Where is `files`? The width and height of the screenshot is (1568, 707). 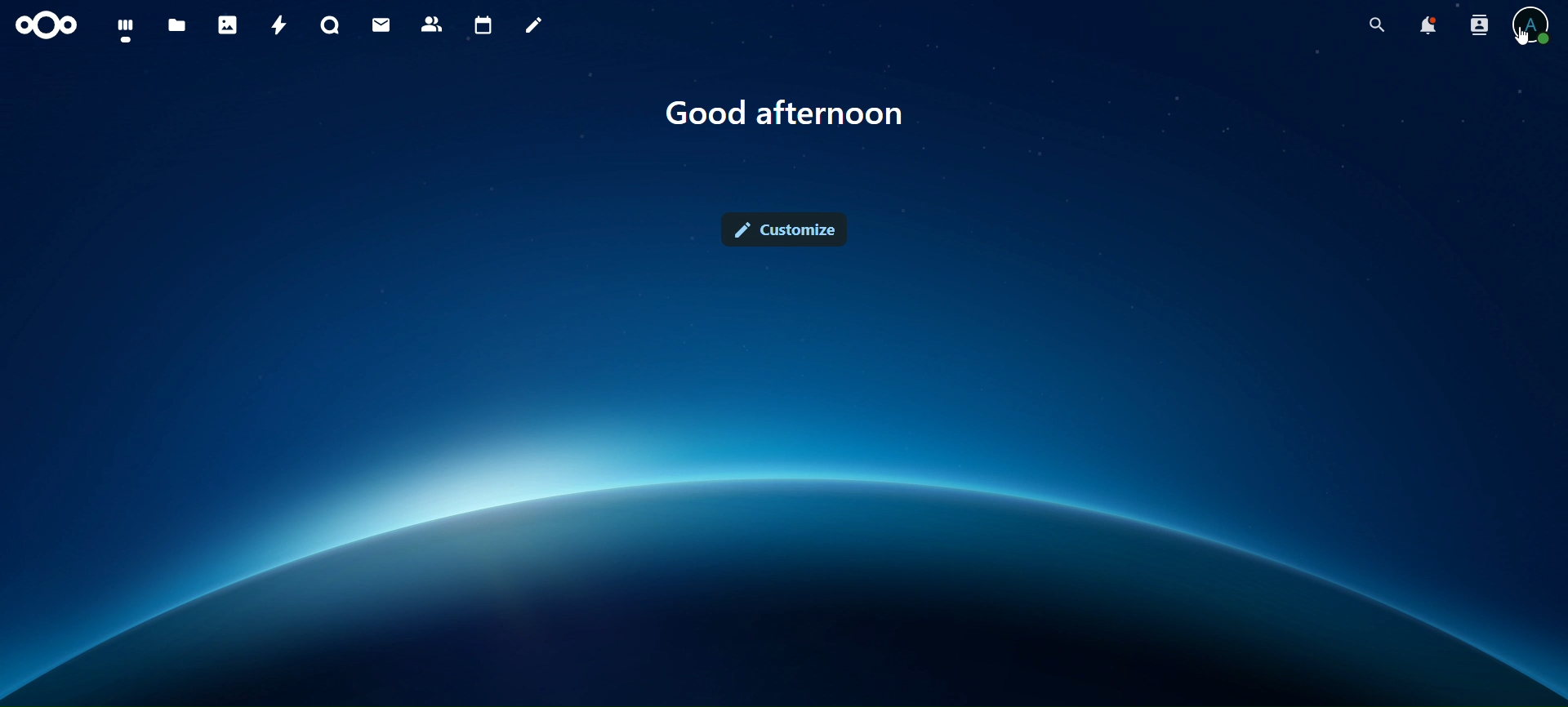 files is located at coordinates (176, 26).